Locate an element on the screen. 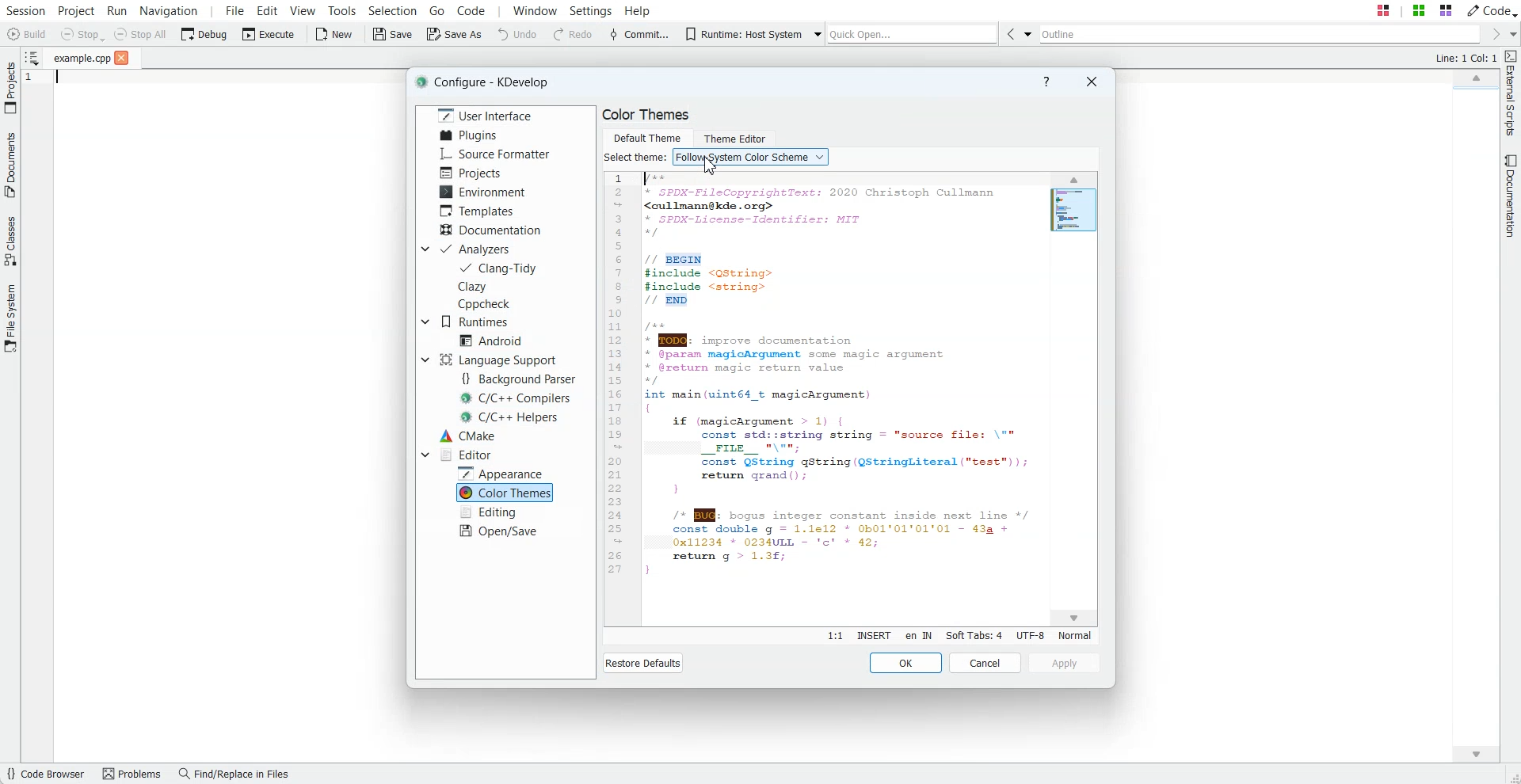 This screenshot has height=784, width=1521. Classes is located at coordinates (10, 243).